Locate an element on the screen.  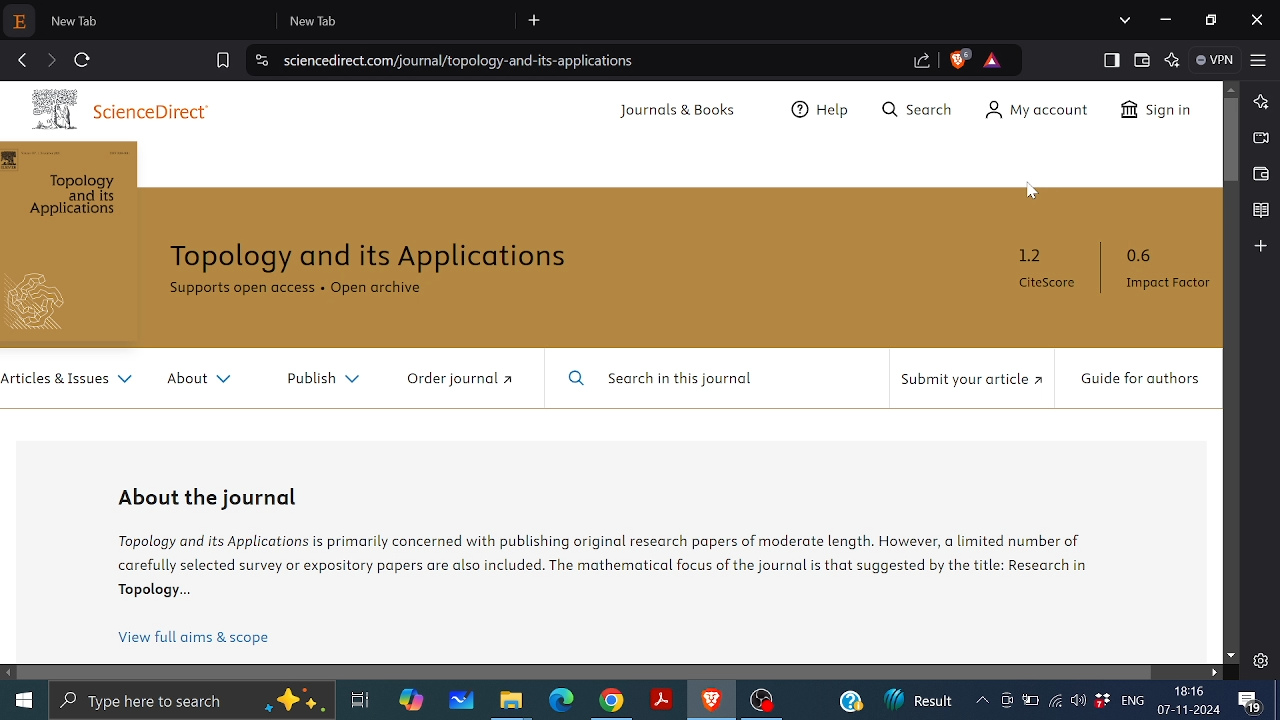
Move up is located at coordinates (1232, 90).